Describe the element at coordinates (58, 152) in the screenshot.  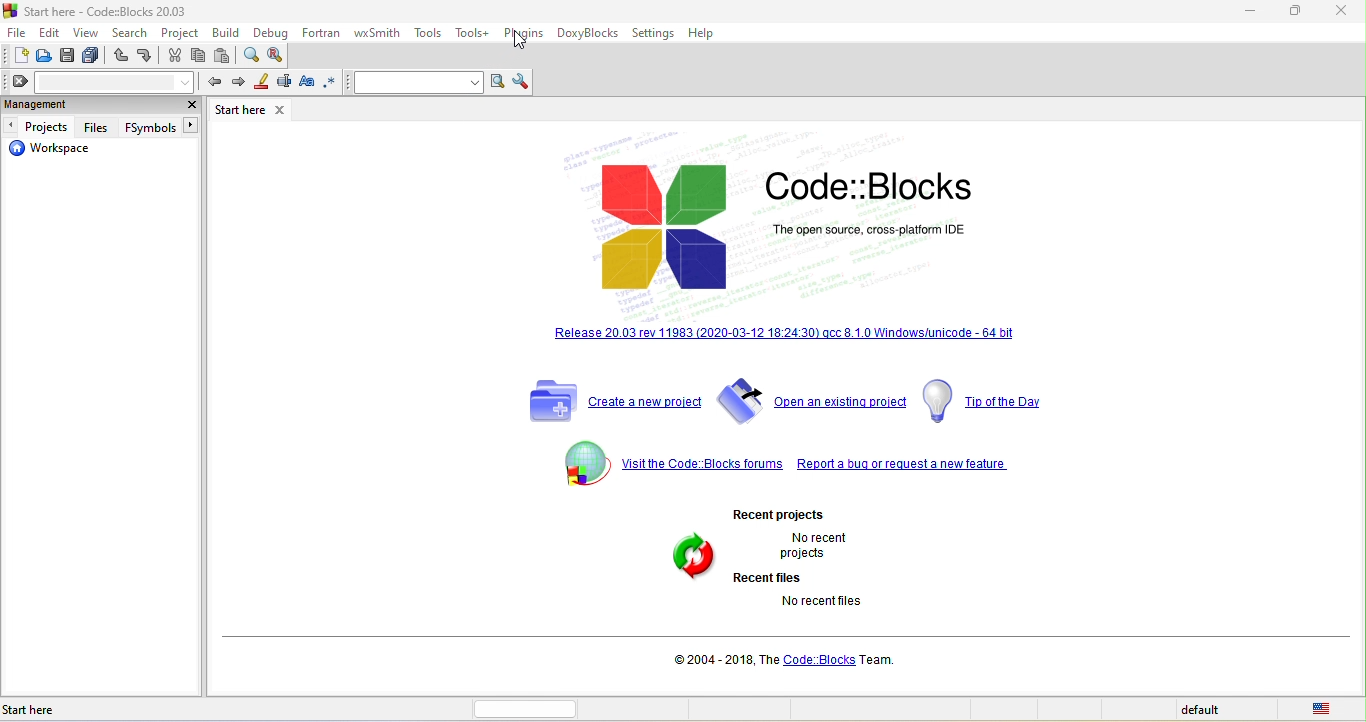
I see `workspace ` at that location.